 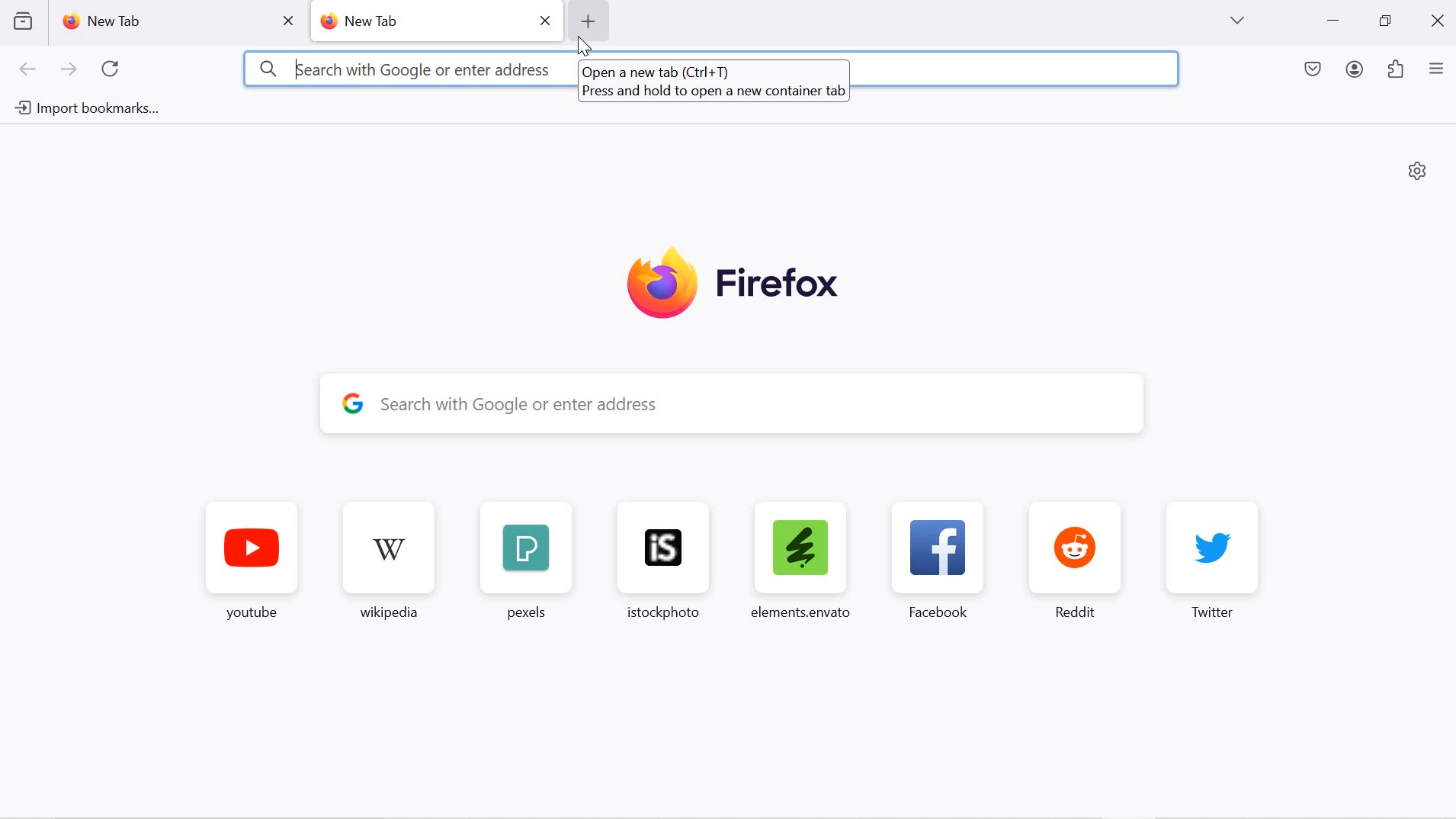 What do you see at coordinates (1214, 560) in the screenshot?
I see `twitter favorite` at bounding box center [1214, 560].